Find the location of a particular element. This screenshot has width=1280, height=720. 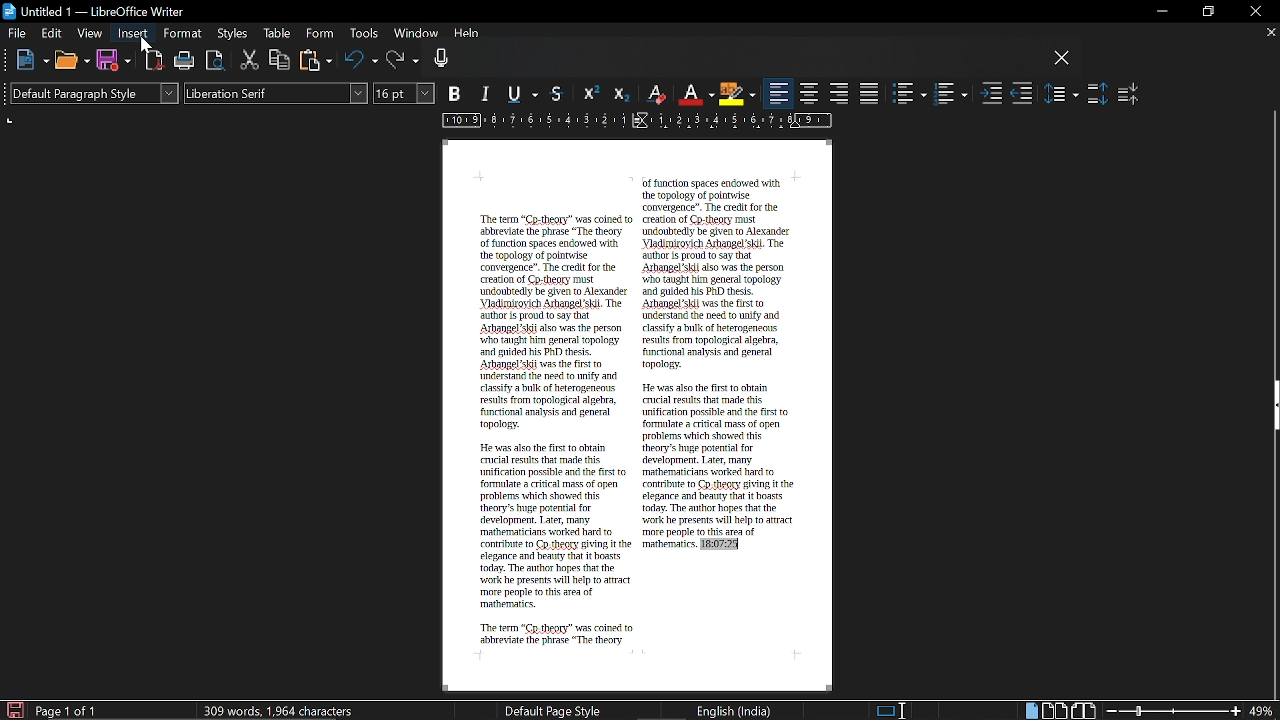

Tools is located at coordinates (362, 35).